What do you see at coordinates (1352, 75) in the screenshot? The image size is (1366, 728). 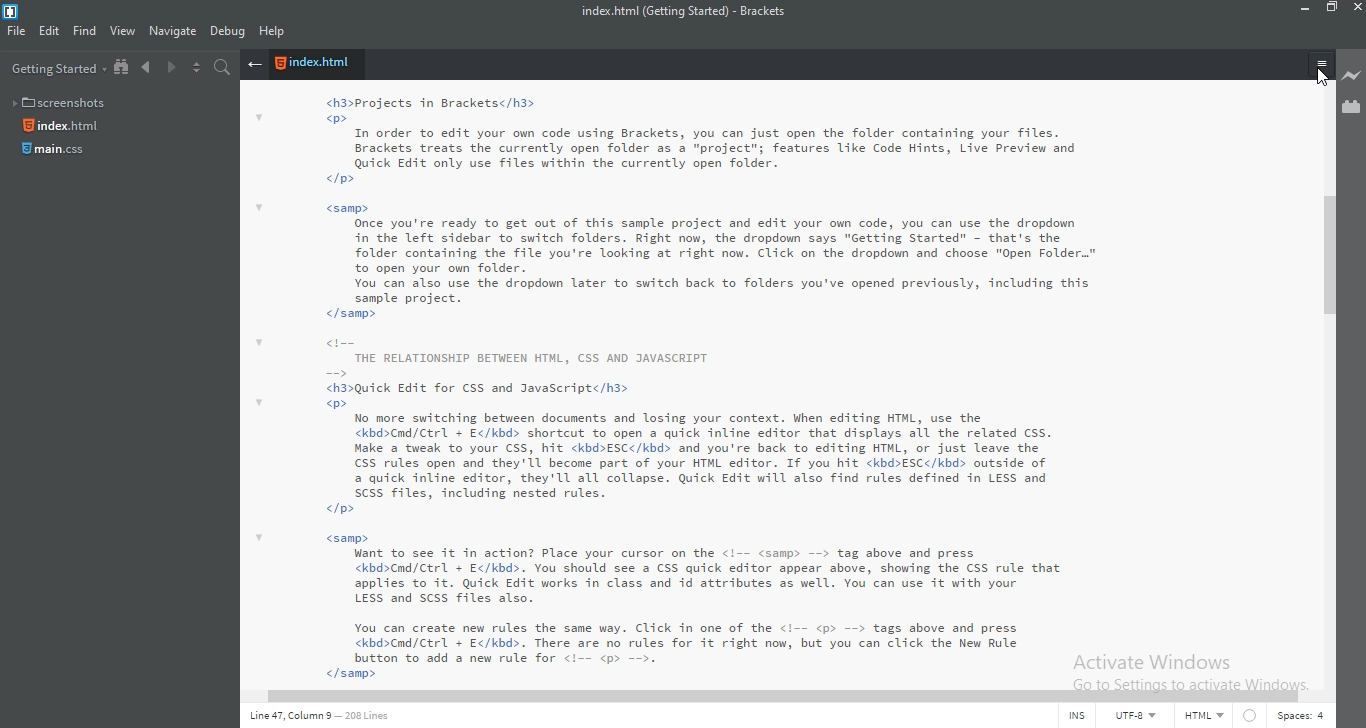 I see `live preview` at bounding box center [1352, 75].